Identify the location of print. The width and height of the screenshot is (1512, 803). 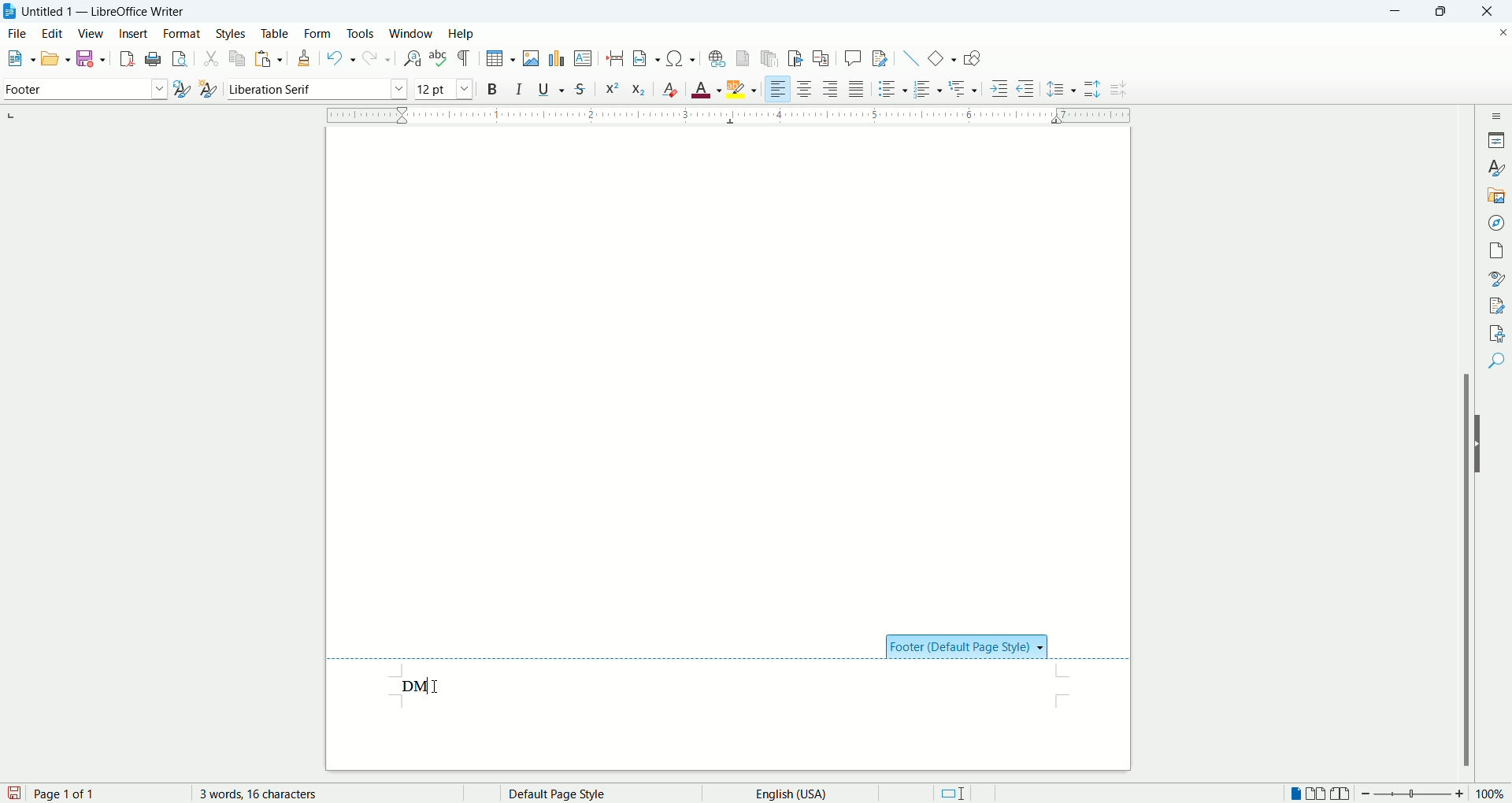
(151, 59).